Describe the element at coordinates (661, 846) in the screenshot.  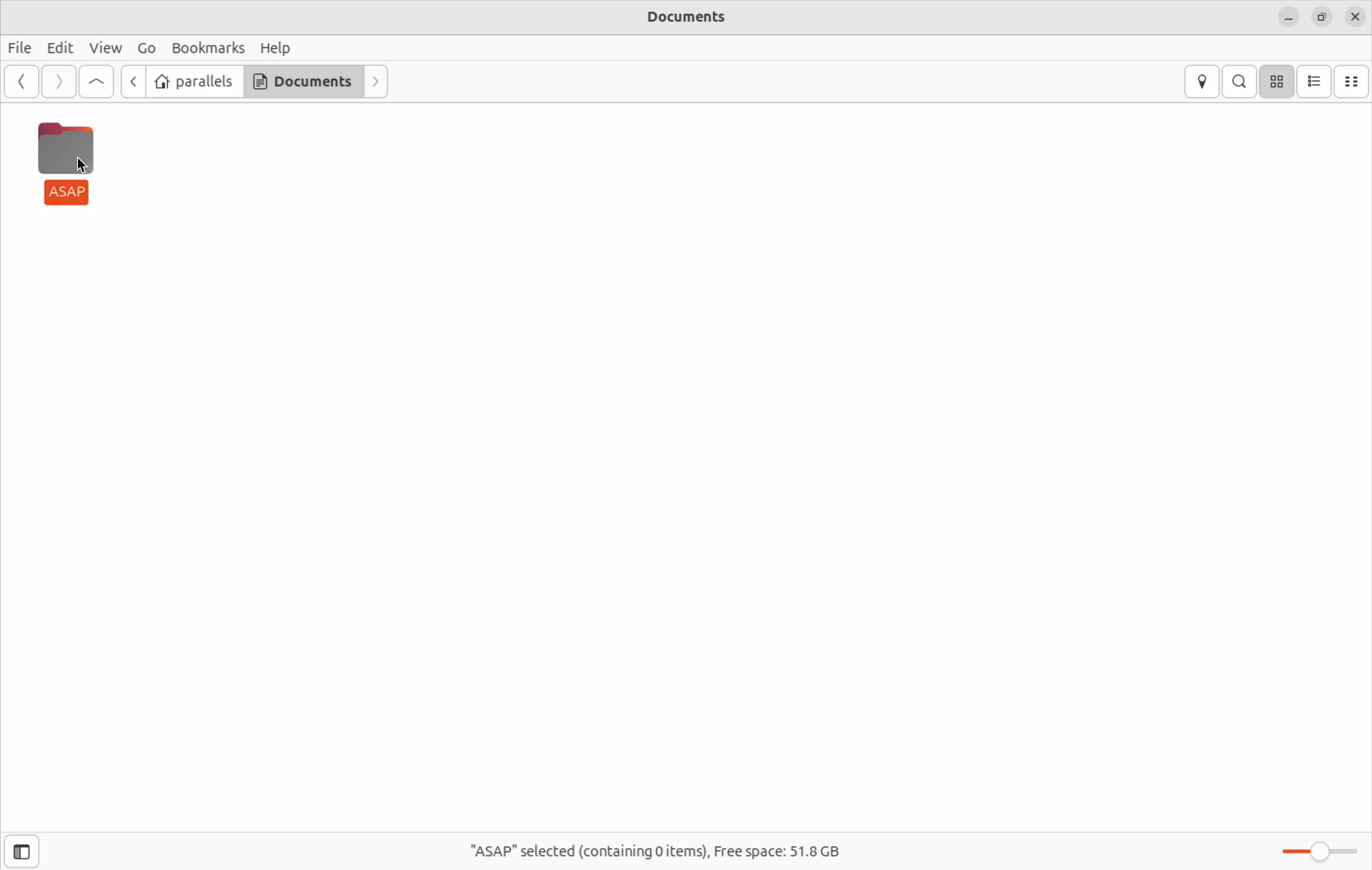
I see `"ASAP" selected(containing 0 items), Free space: 51.8 GB` at that location.